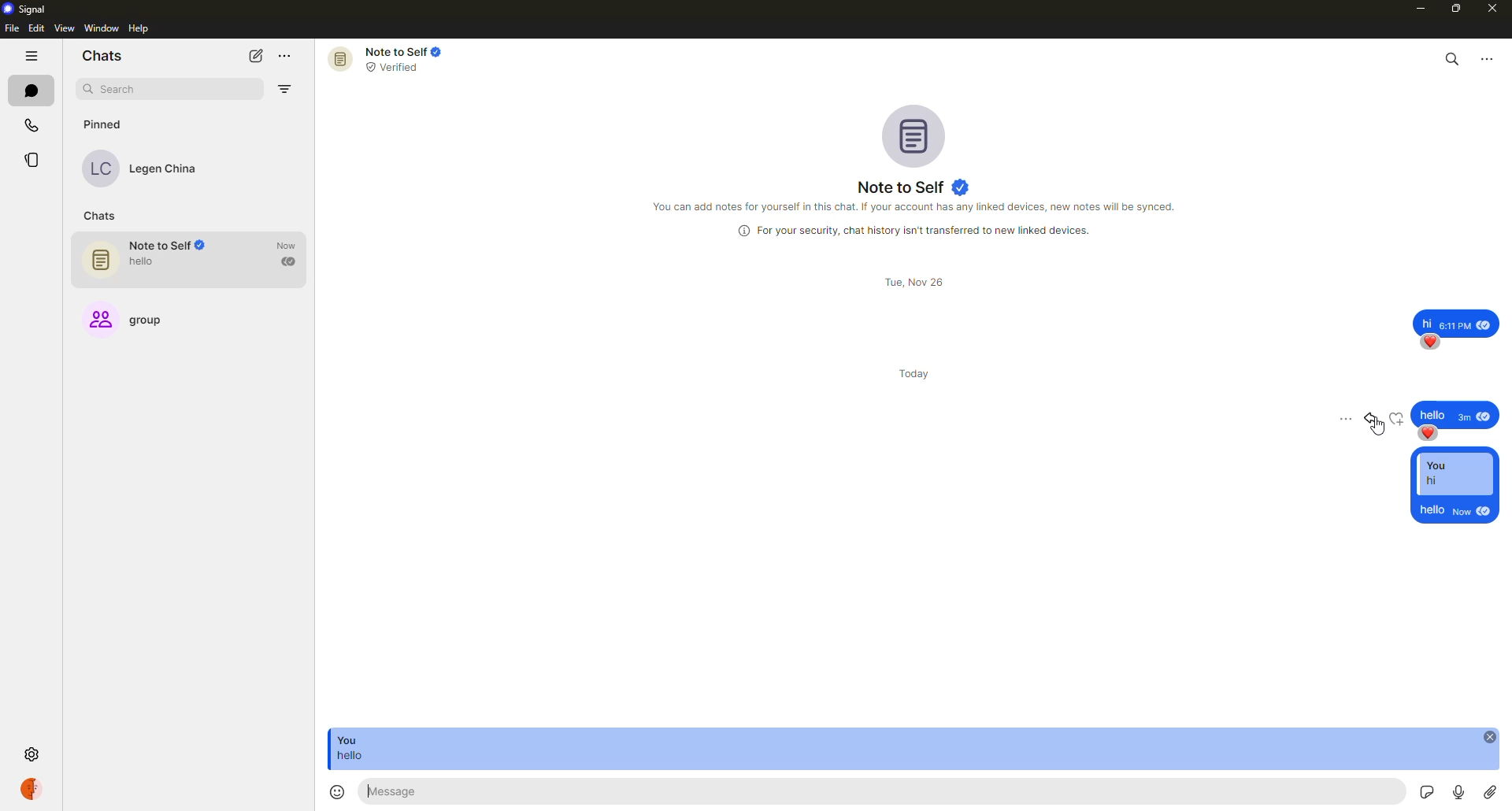 Image resolution: width=1512 pixels, height=811 pixels. Describe the element at coordinates (256, 55) in the screenshot. I see `new chat` at that location.